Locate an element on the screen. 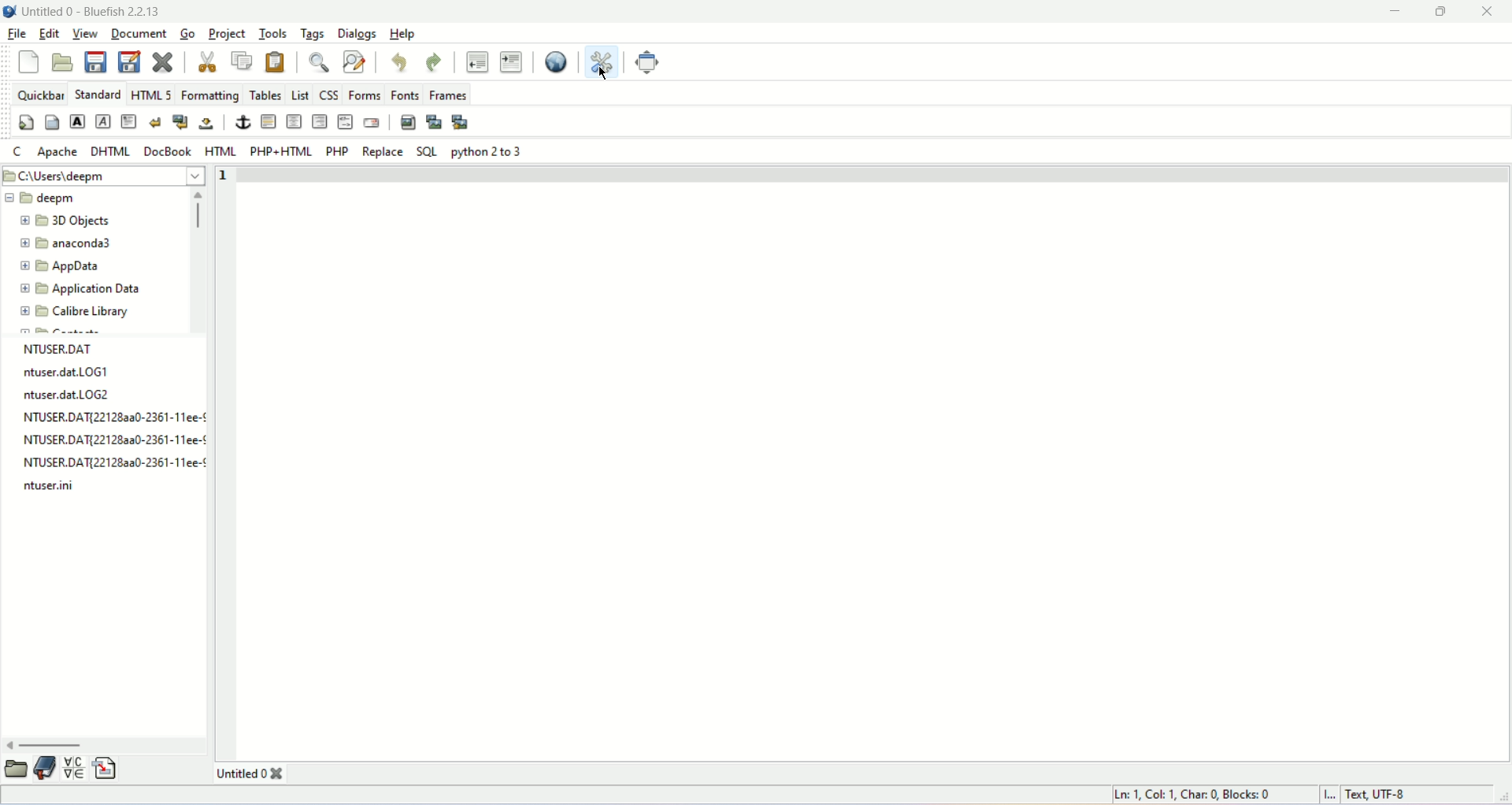 This screenshot has height=805, width=1512. Apache is located at coordinates (55, 150).